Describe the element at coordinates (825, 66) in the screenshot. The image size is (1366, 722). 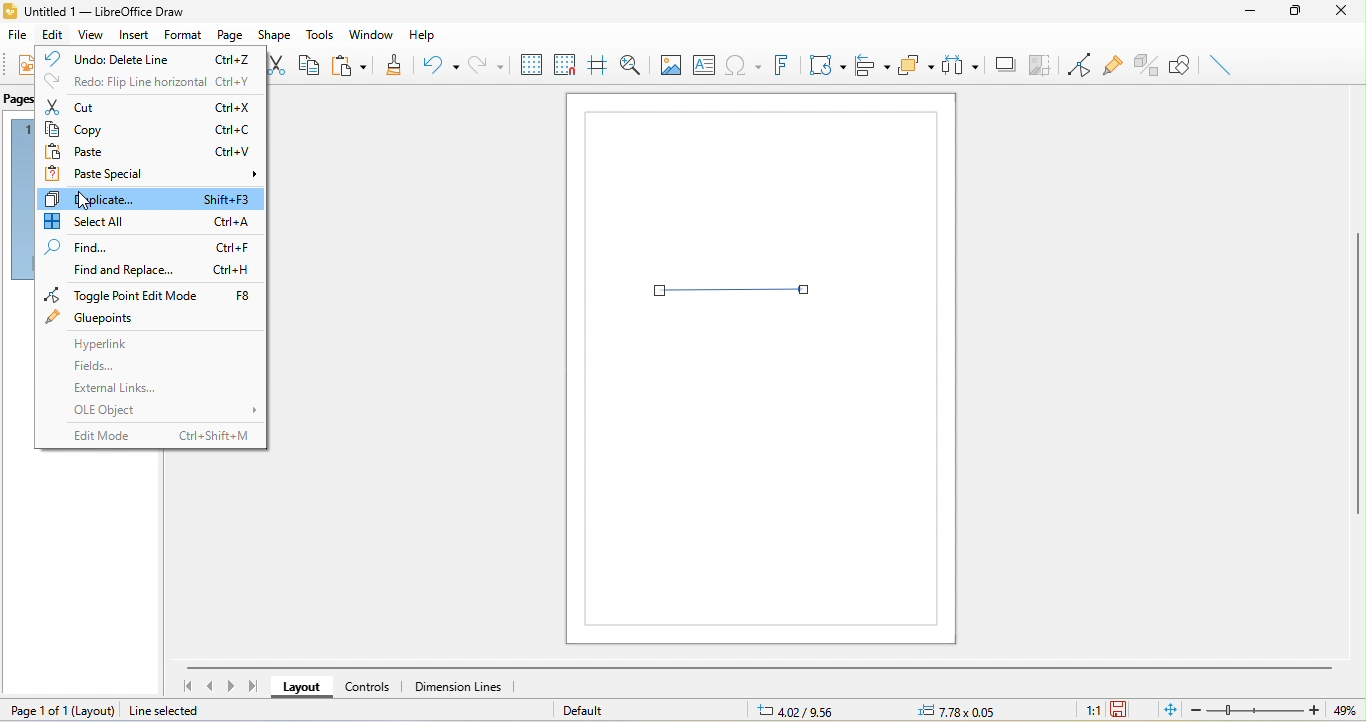
I see `transformation` at that location.